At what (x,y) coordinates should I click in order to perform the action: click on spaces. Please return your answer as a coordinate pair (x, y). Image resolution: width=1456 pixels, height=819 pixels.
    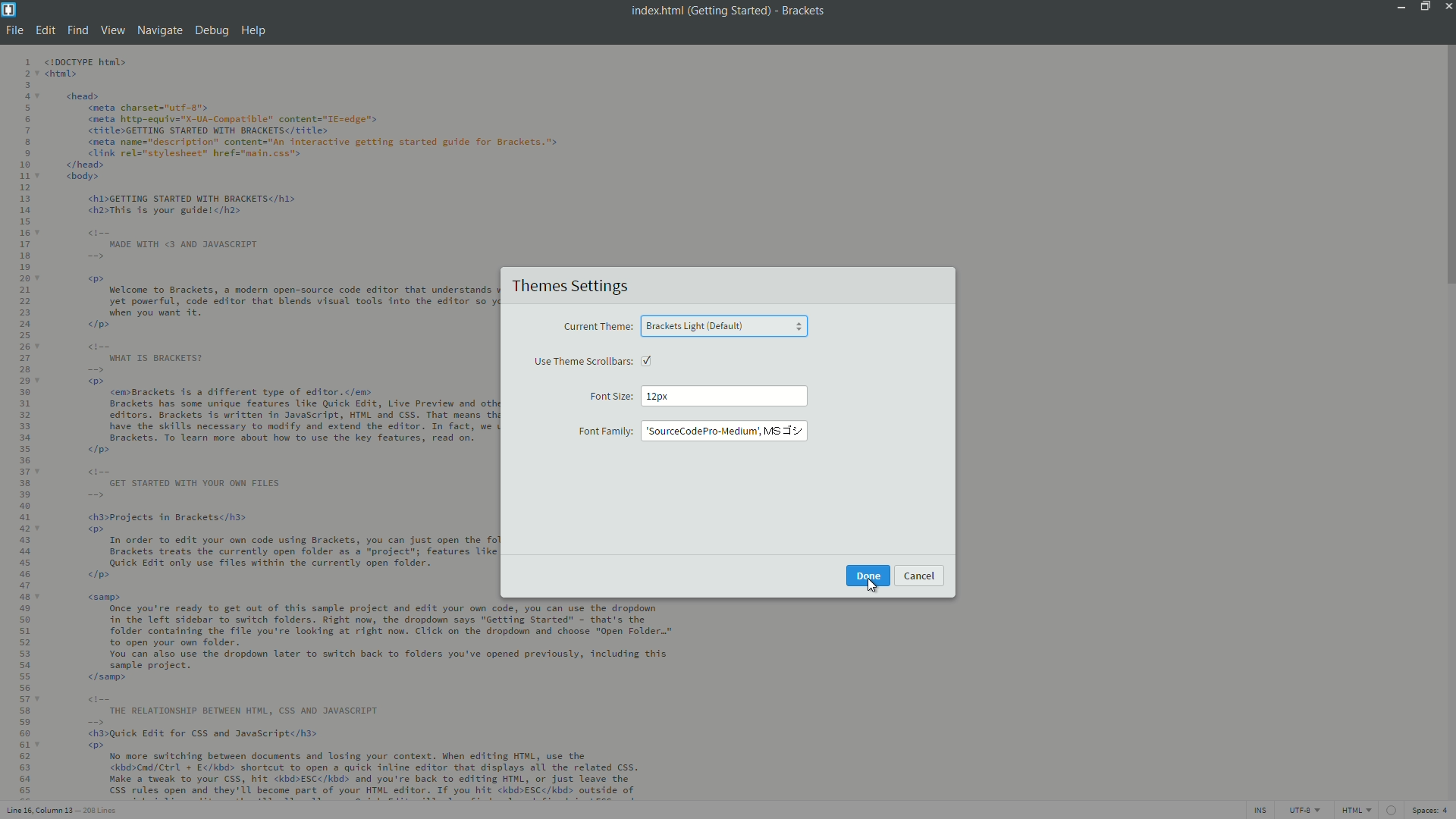
    Looking at the image, I should click on (1432, 811).